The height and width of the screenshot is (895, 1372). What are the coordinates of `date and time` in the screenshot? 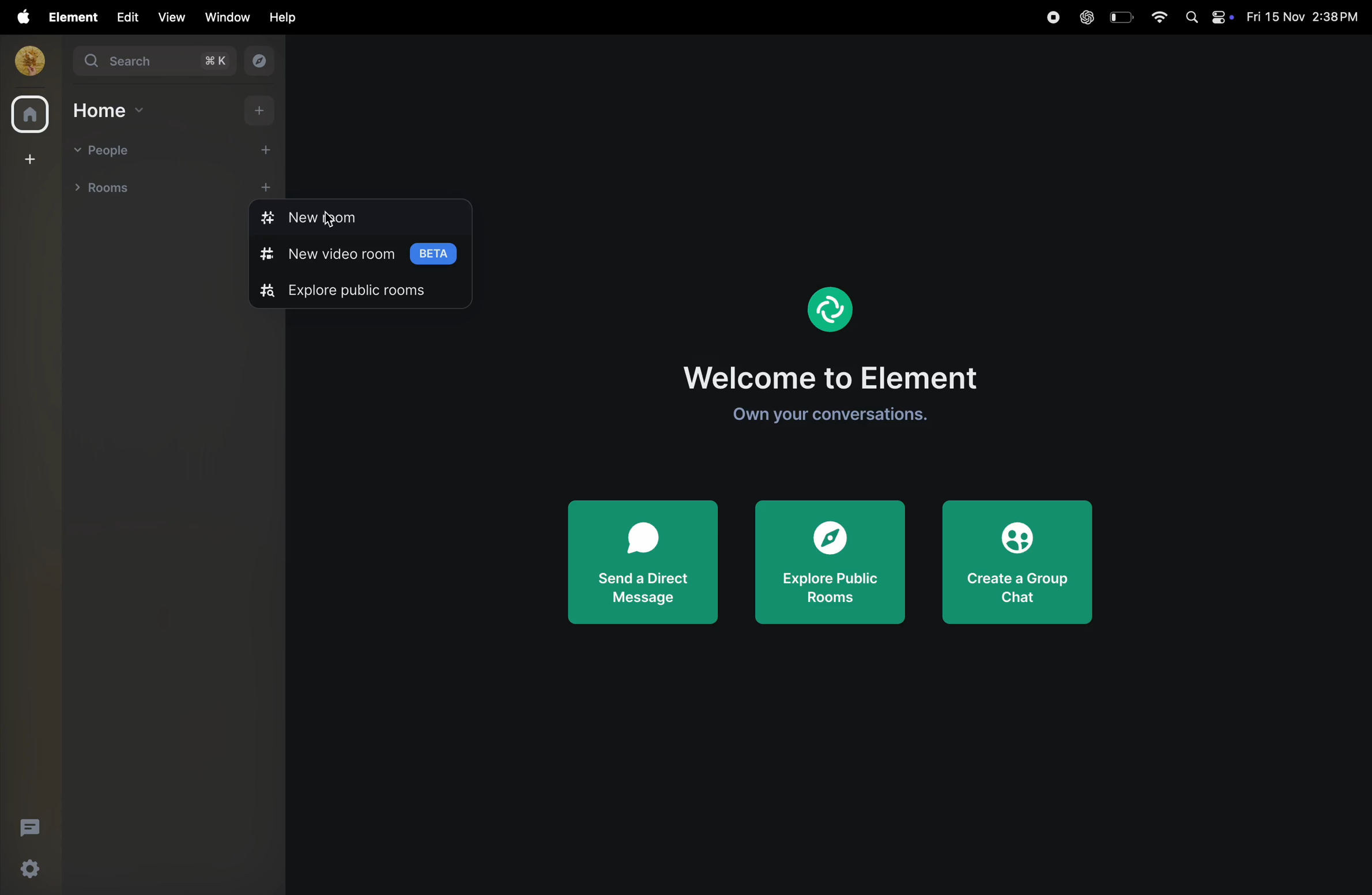 It's located at (1306, 17).